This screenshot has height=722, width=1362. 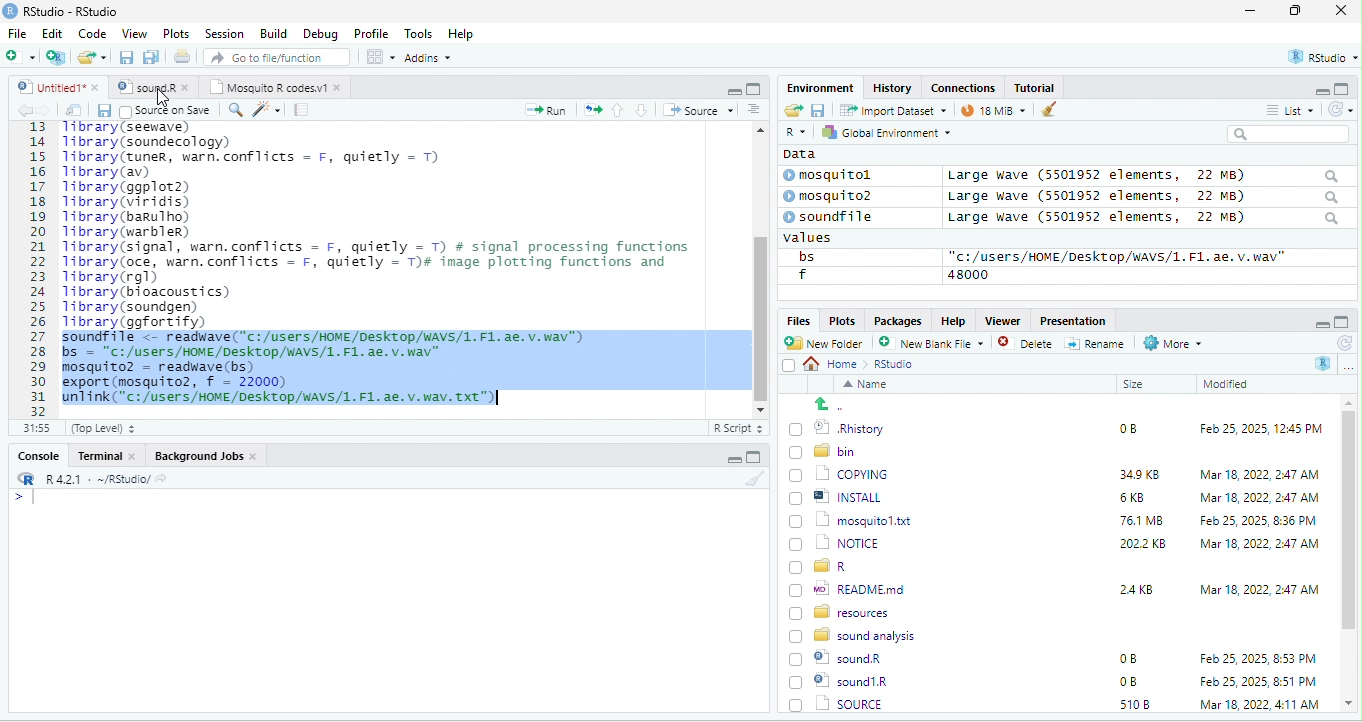 What do you see at coordinates (1127, 659) in the screenshot?
I see `0B` at bounding box center [1127, 659].